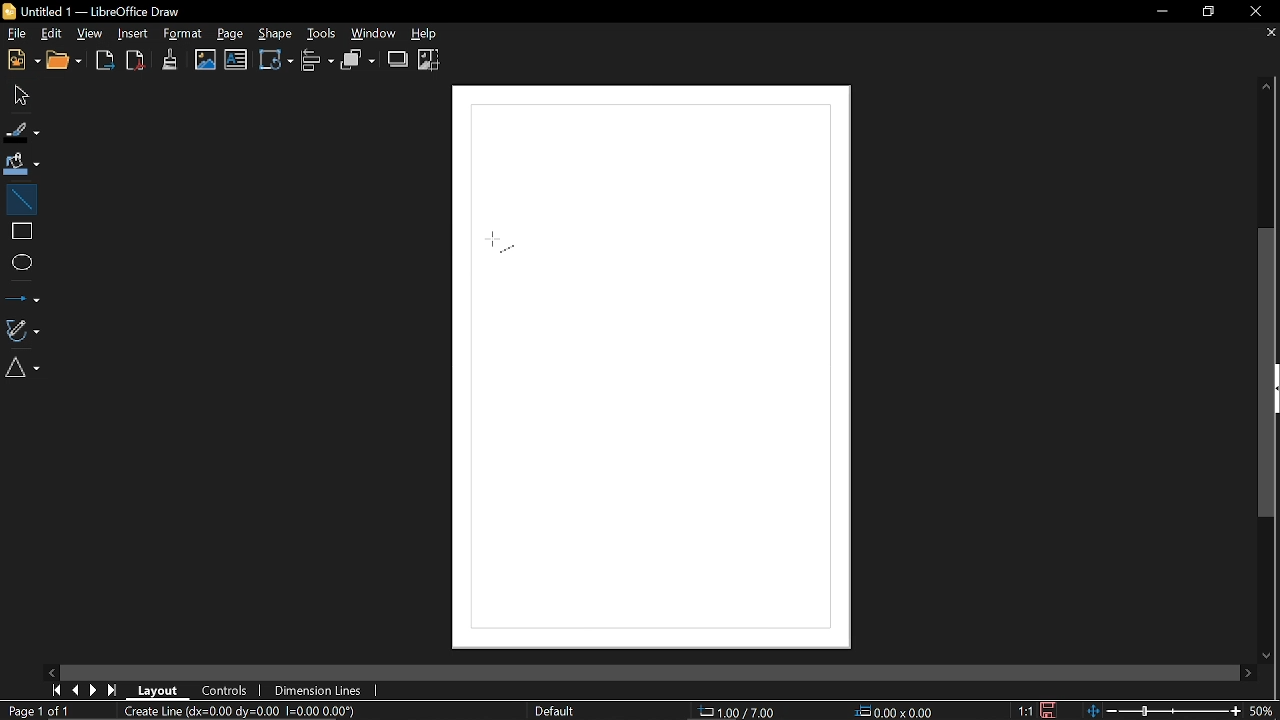  Describe the element at coordinates (742, 711) in the screenshot. I see `Position` at that location.